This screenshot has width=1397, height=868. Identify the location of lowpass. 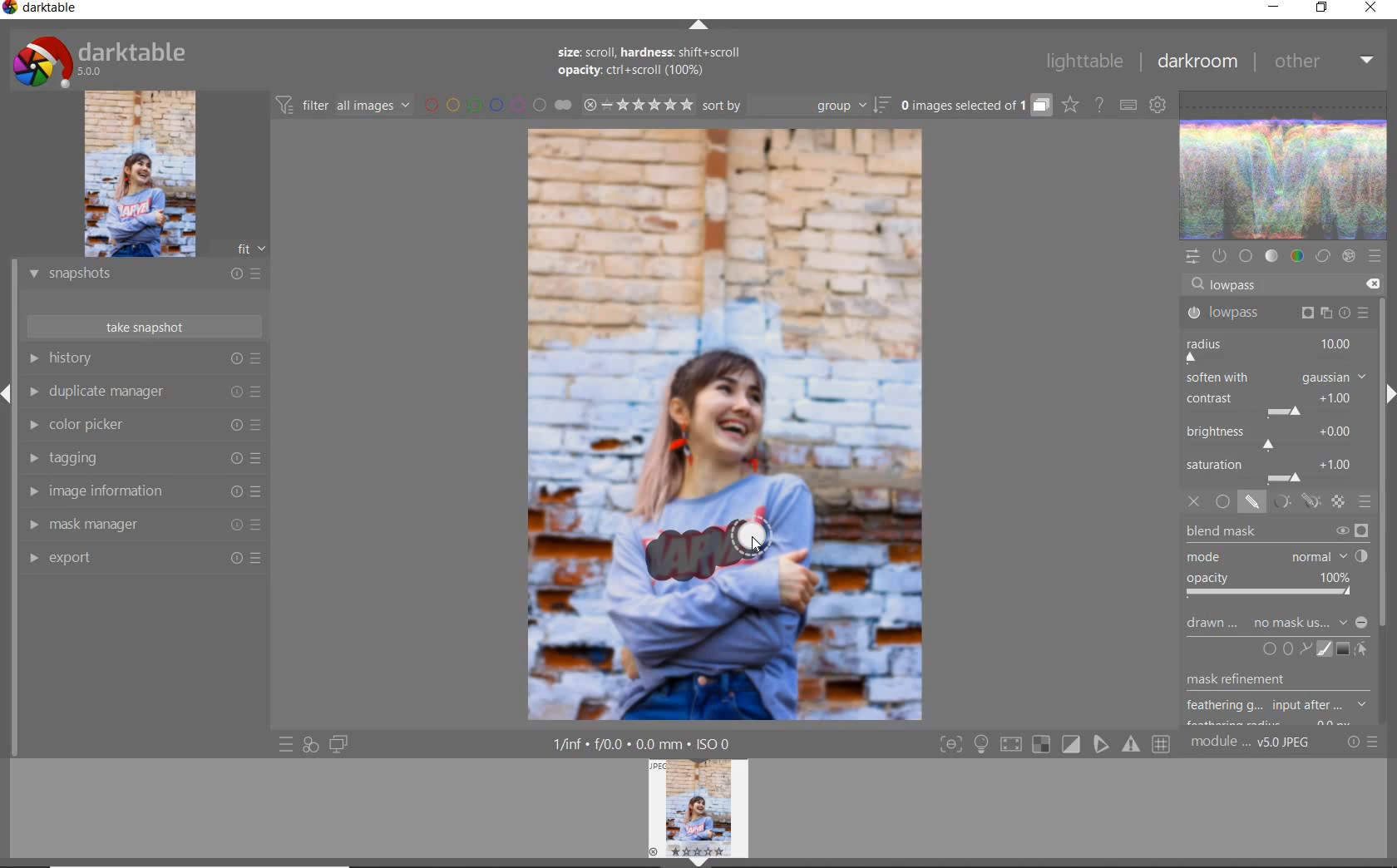
(1276, 313).